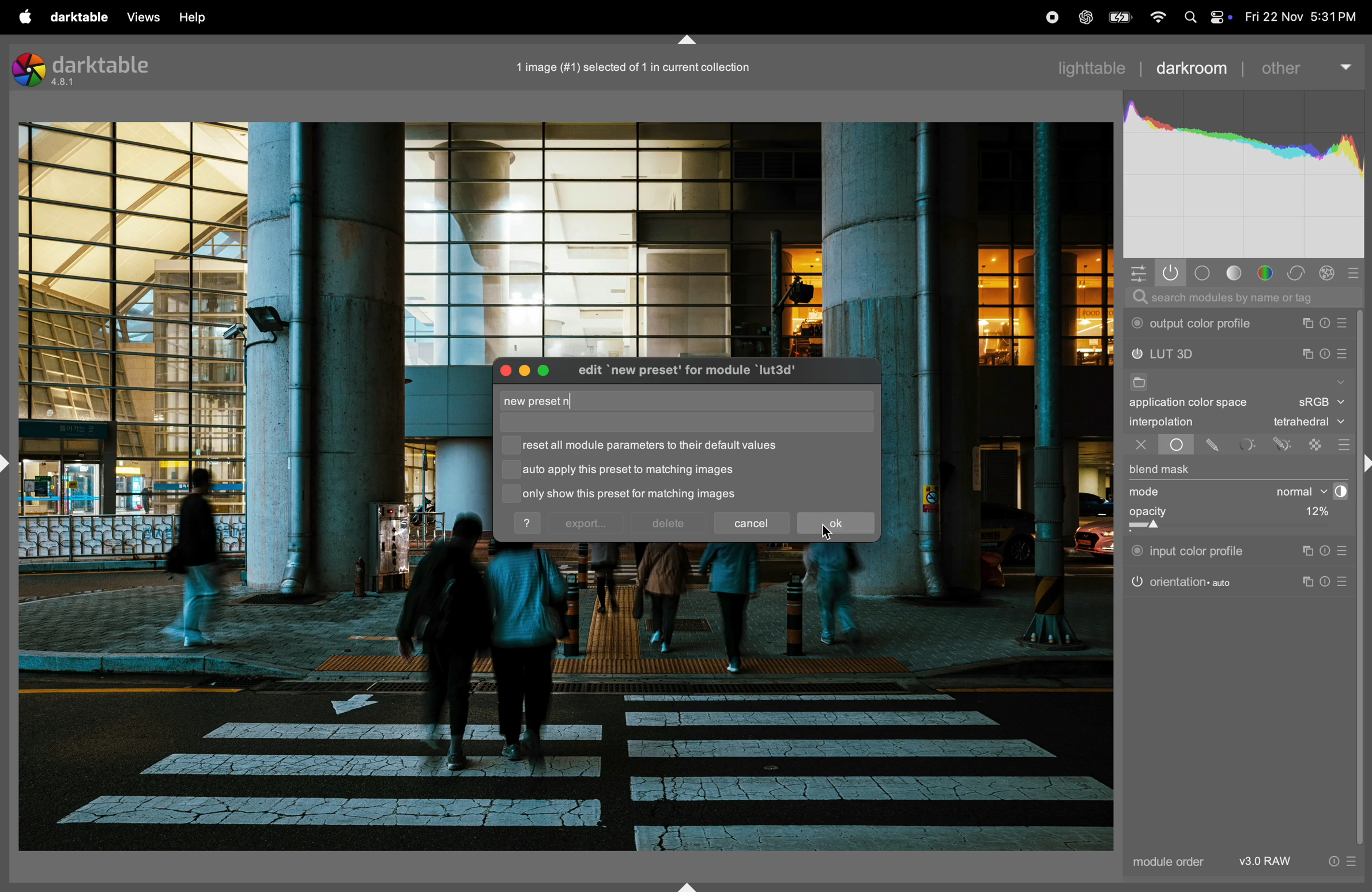  I want to click on reset parameters, so click(1330, 580).